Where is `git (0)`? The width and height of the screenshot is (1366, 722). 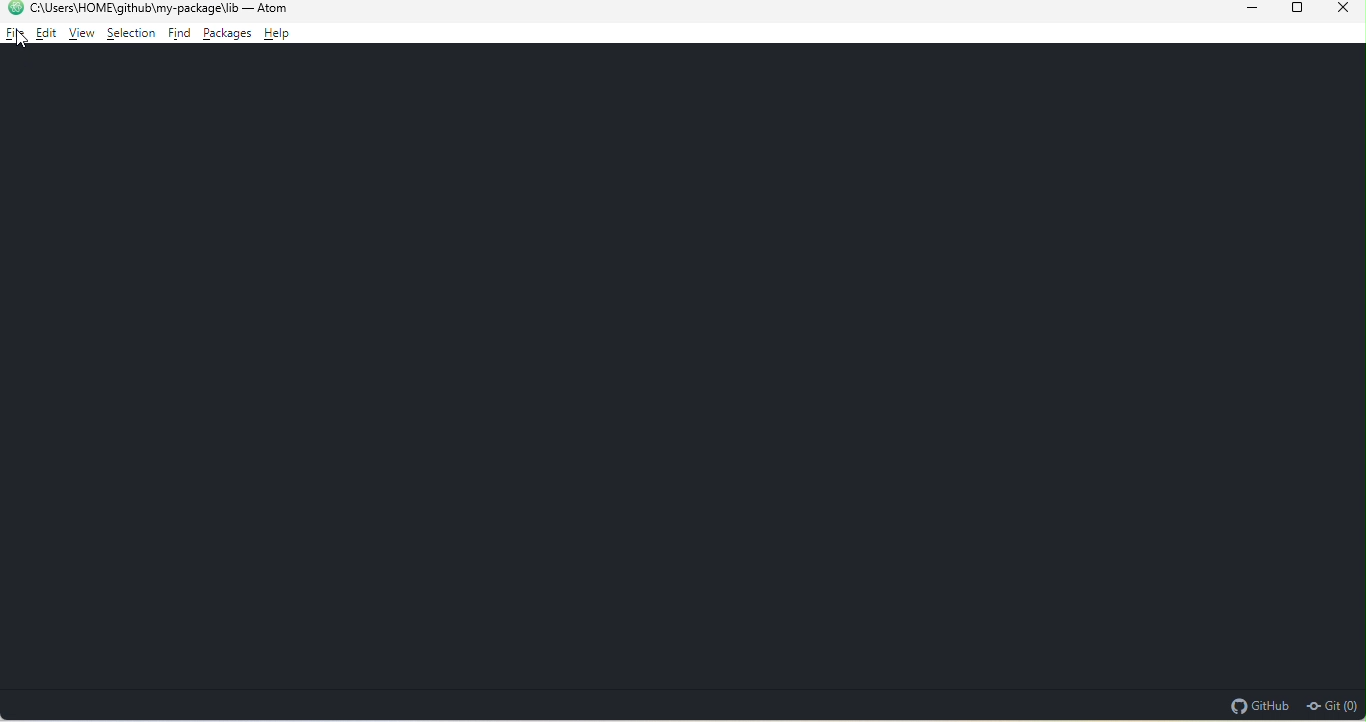
git (0) is located at coordinates (1332, 705).